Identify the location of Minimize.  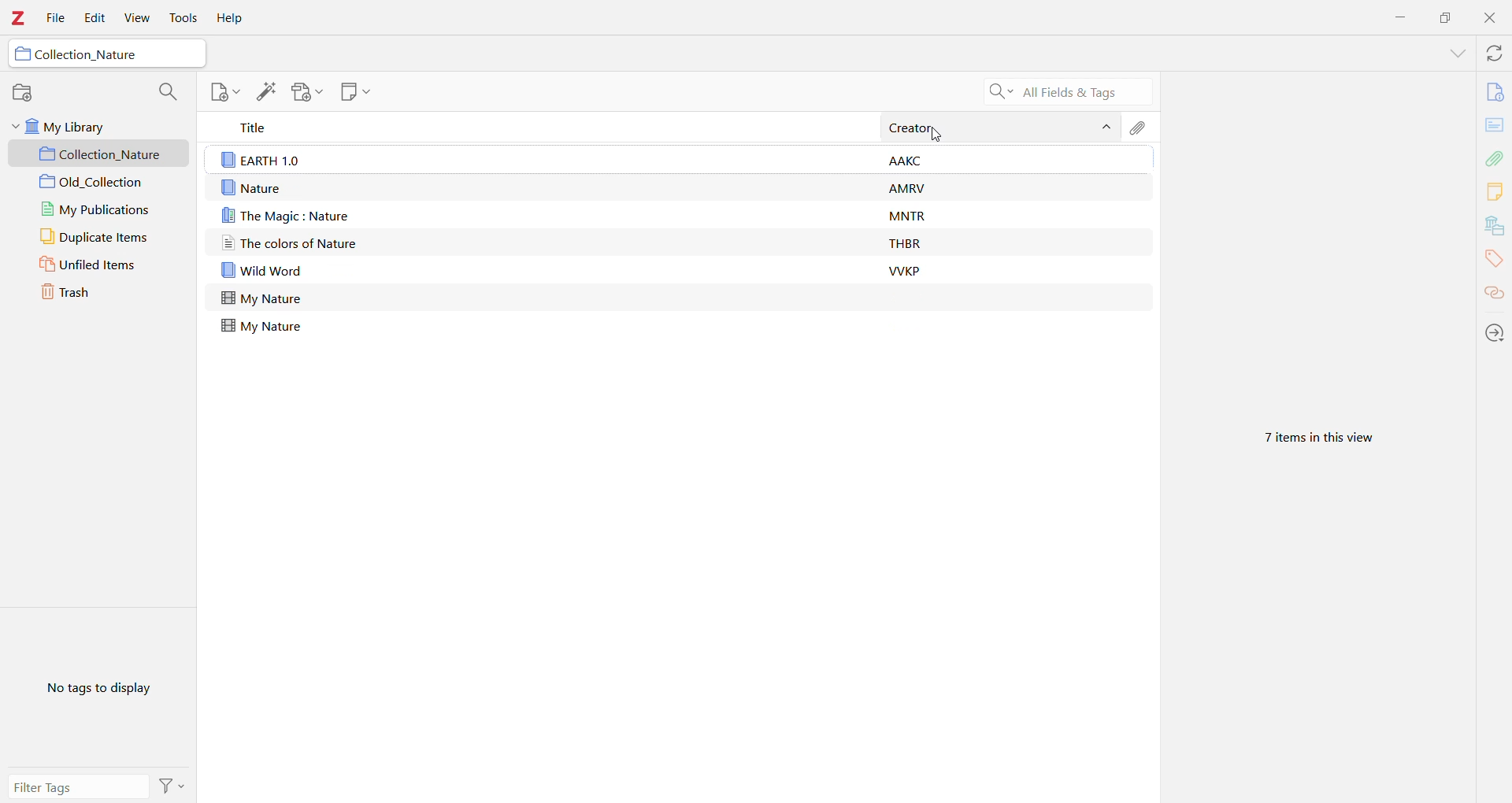
(1400, 17).